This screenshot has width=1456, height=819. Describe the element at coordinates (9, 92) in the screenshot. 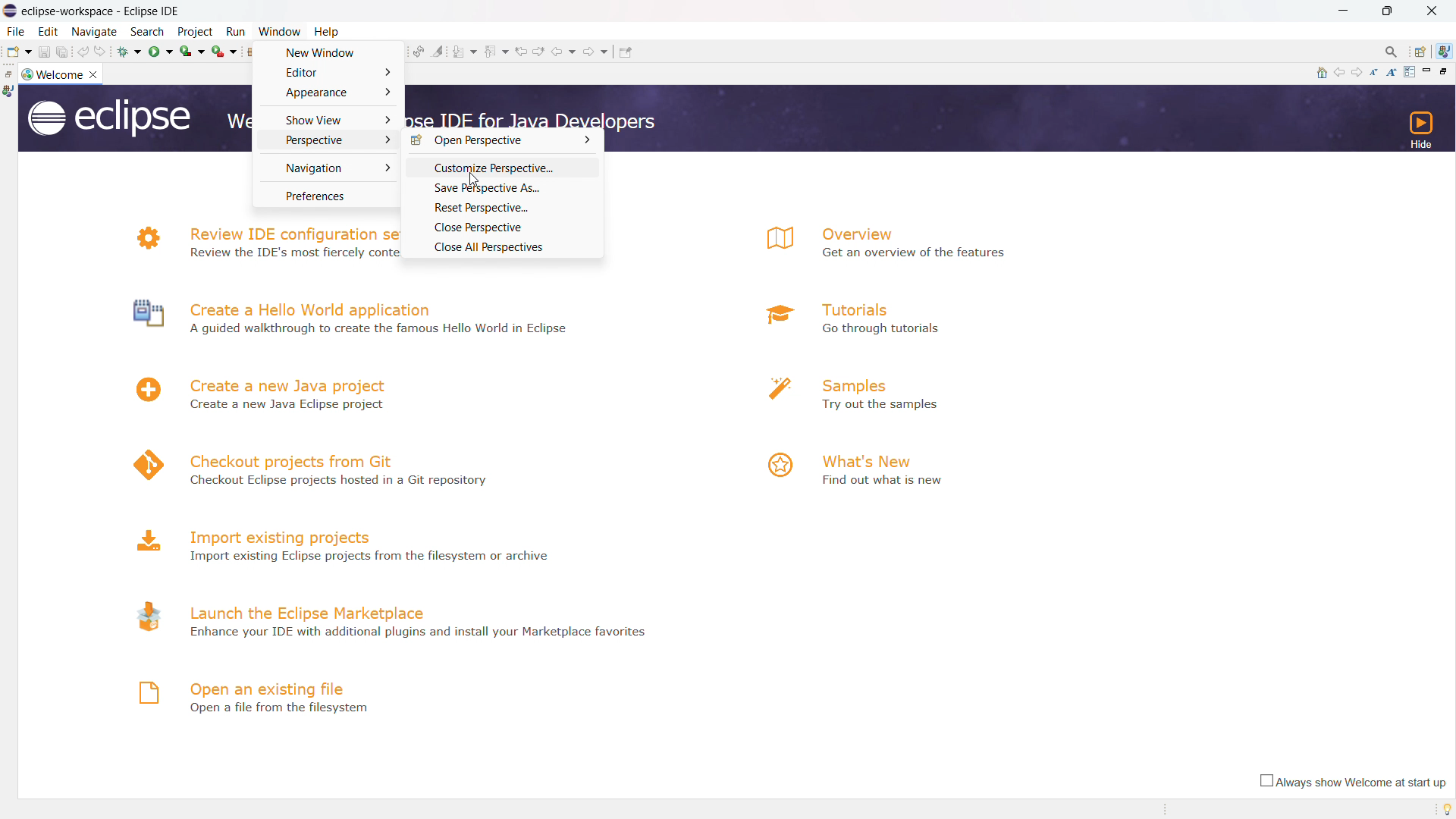

I see `java` at that location.